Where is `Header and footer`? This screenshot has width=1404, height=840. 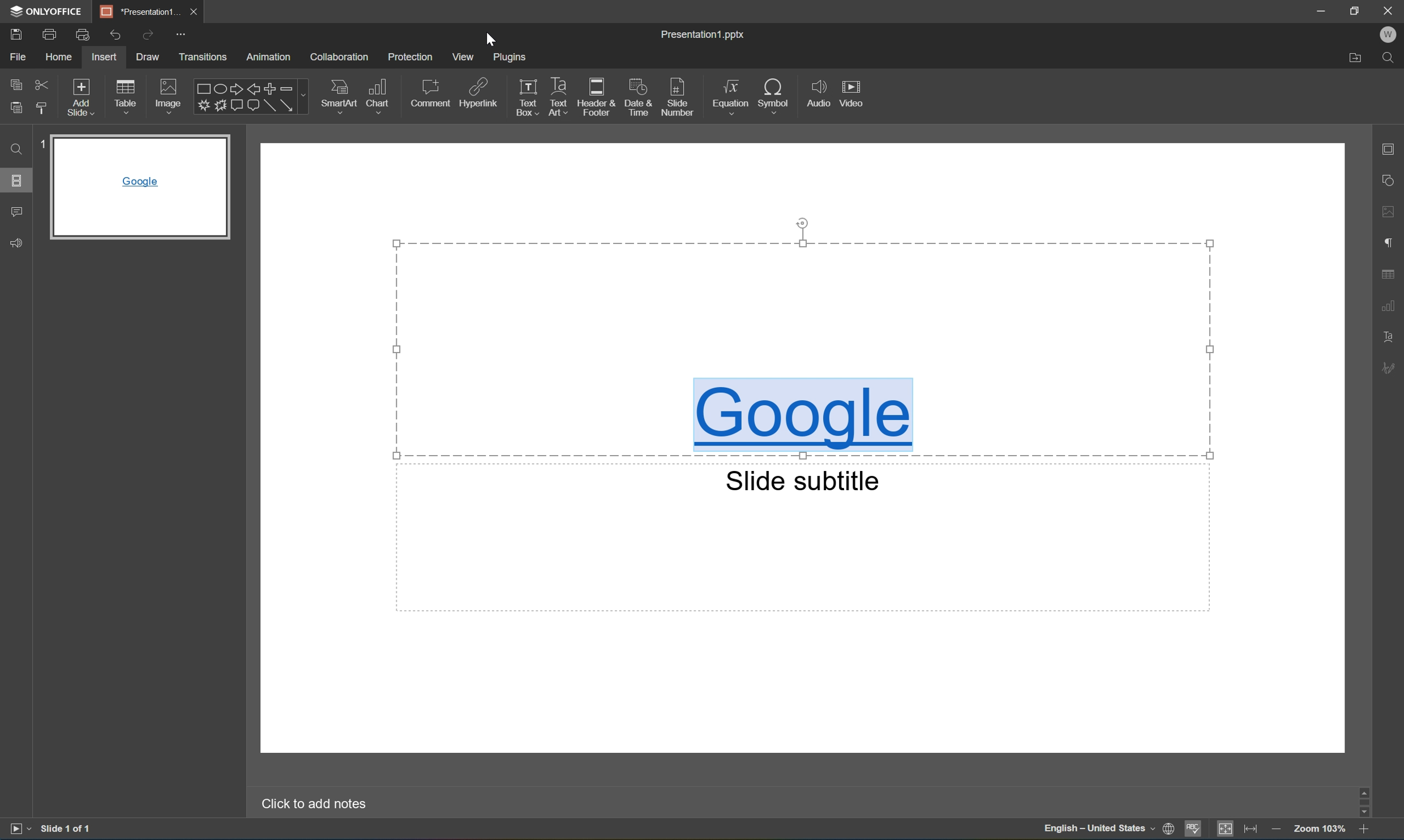
Header and footer is located at coordinates (598, 96).